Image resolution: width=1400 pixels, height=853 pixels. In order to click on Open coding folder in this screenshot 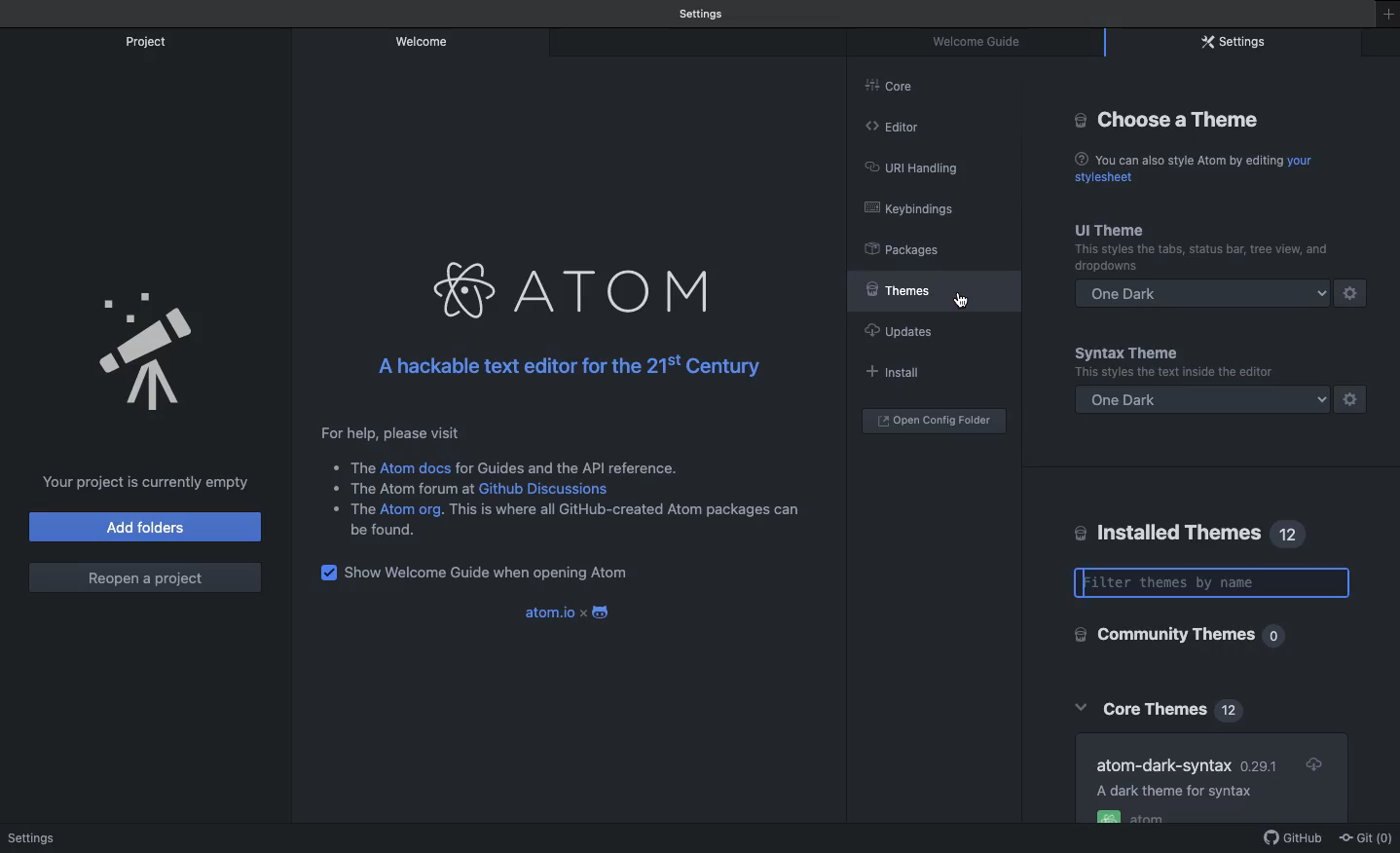, I will do `click(934, 422)`.